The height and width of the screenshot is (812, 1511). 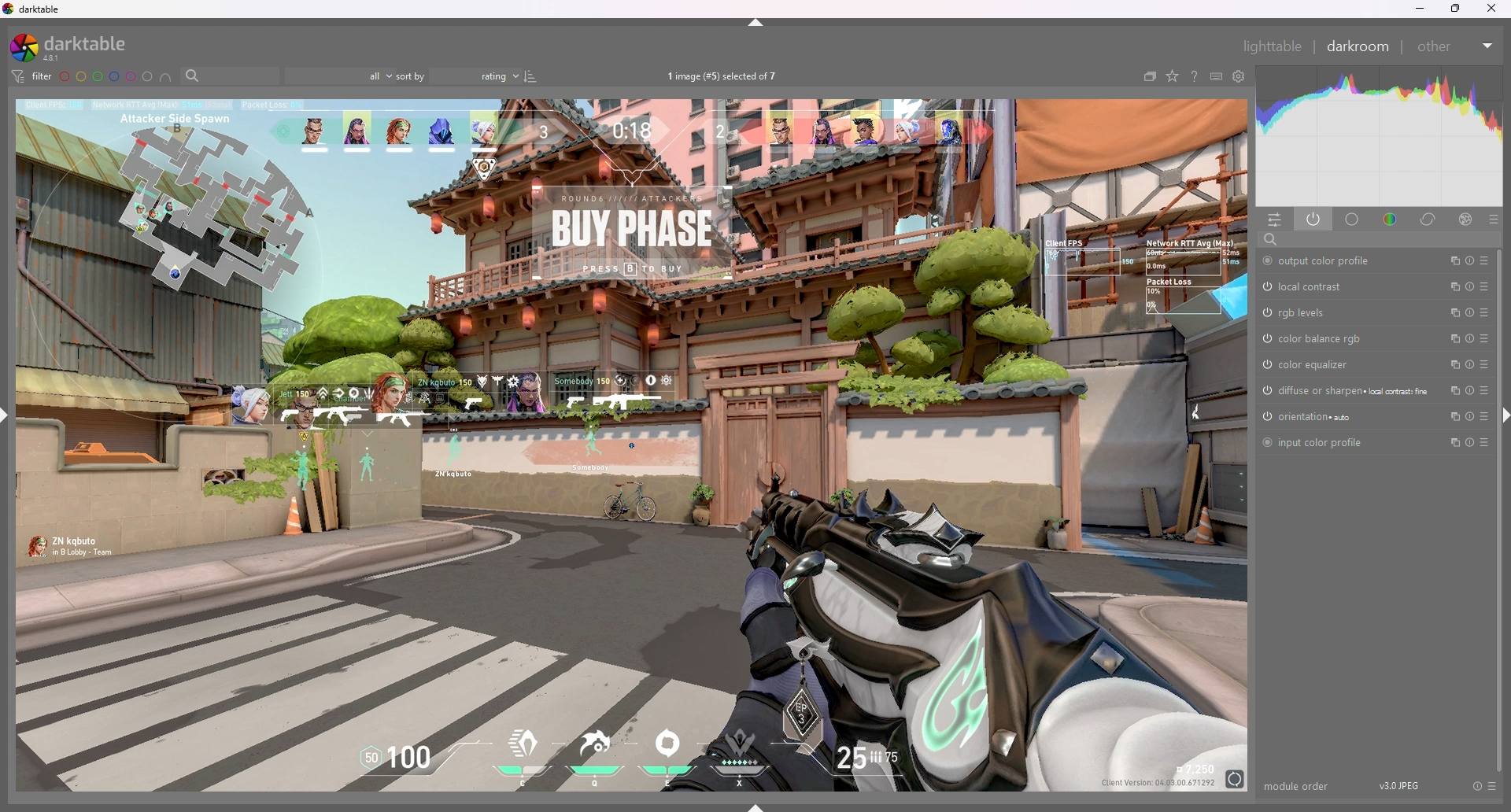 What do you see at coordinates (1360, 46) in the screenshot?
I see `darkroom` at bounding box center [1360, 46].